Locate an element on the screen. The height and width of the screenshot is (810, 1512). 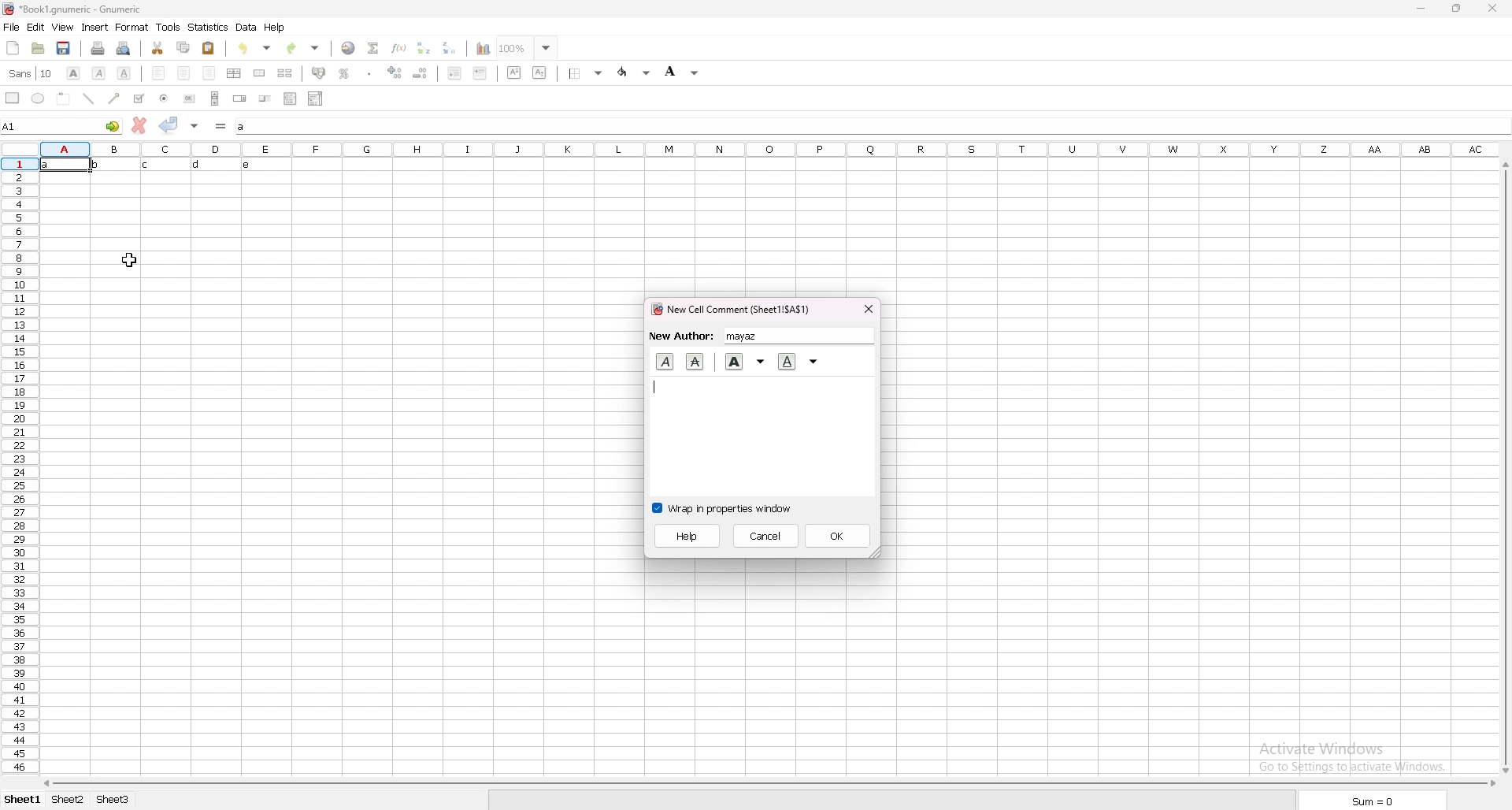
sheet 1 is located at coordinates (23, 799).